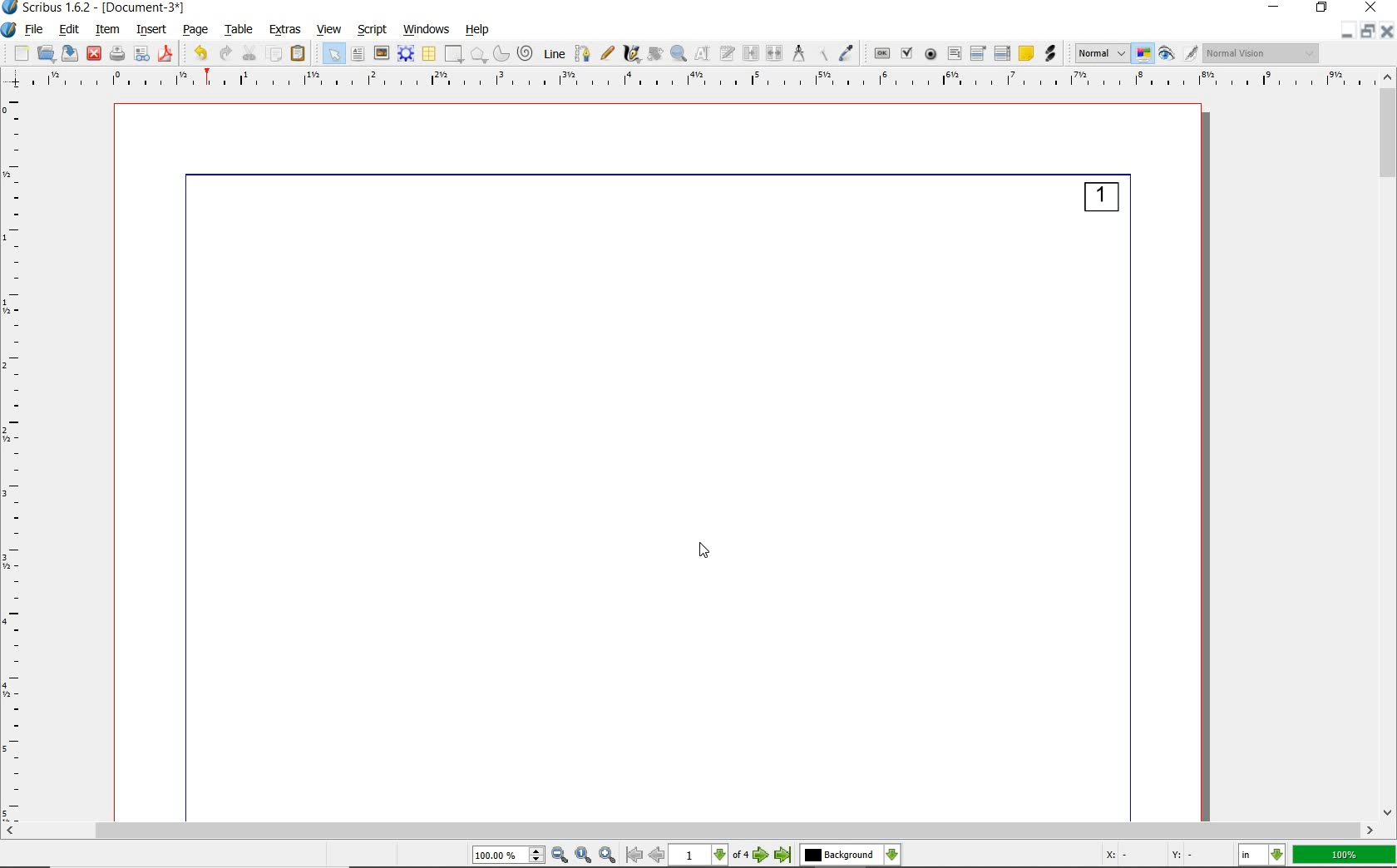 The height and width of the screenshot is (868, 1397). I want to click on page numbering added, so click(1098, 200).